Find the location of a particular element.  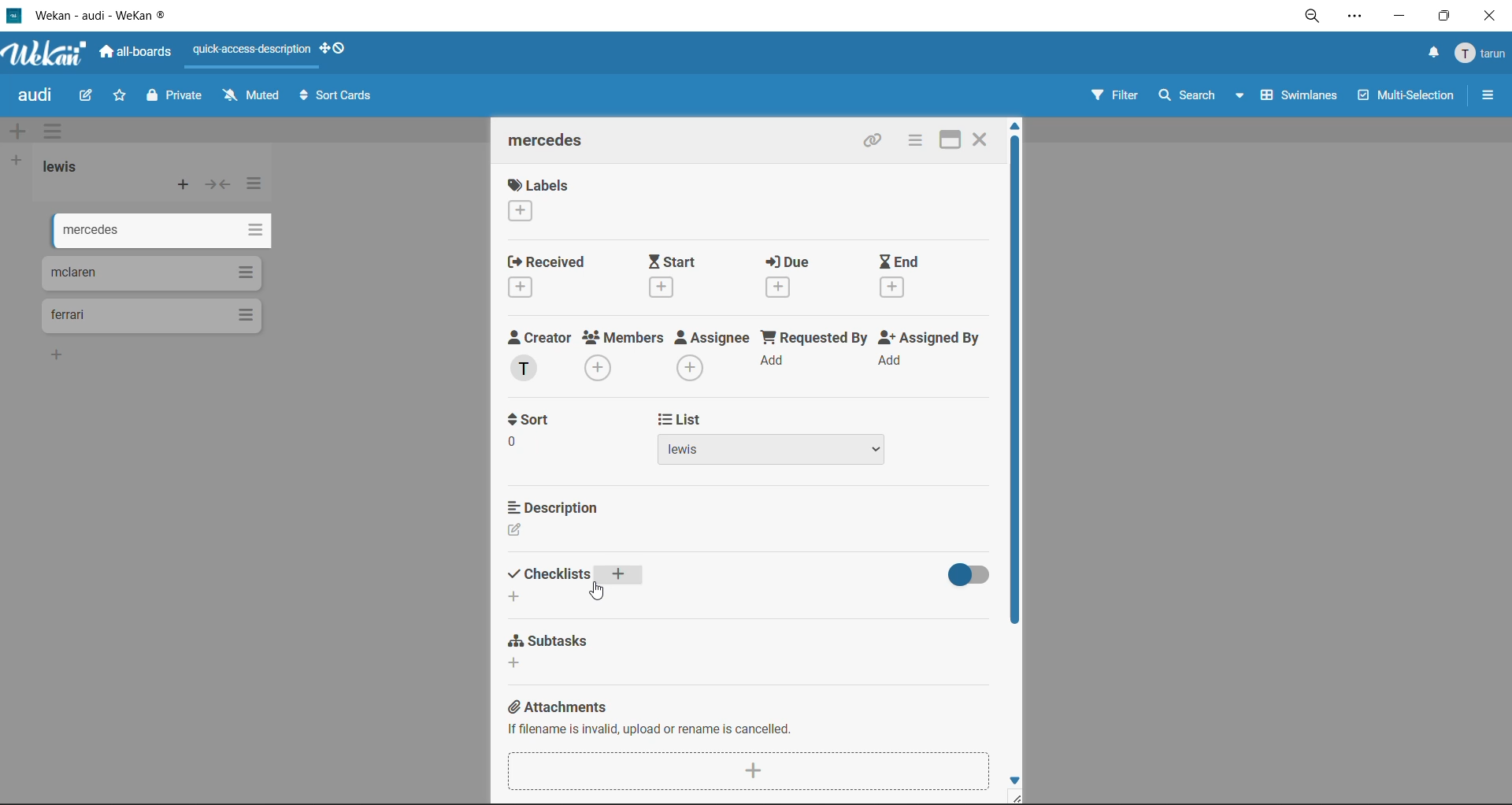

notifications is located at coordinates (1429, 53).